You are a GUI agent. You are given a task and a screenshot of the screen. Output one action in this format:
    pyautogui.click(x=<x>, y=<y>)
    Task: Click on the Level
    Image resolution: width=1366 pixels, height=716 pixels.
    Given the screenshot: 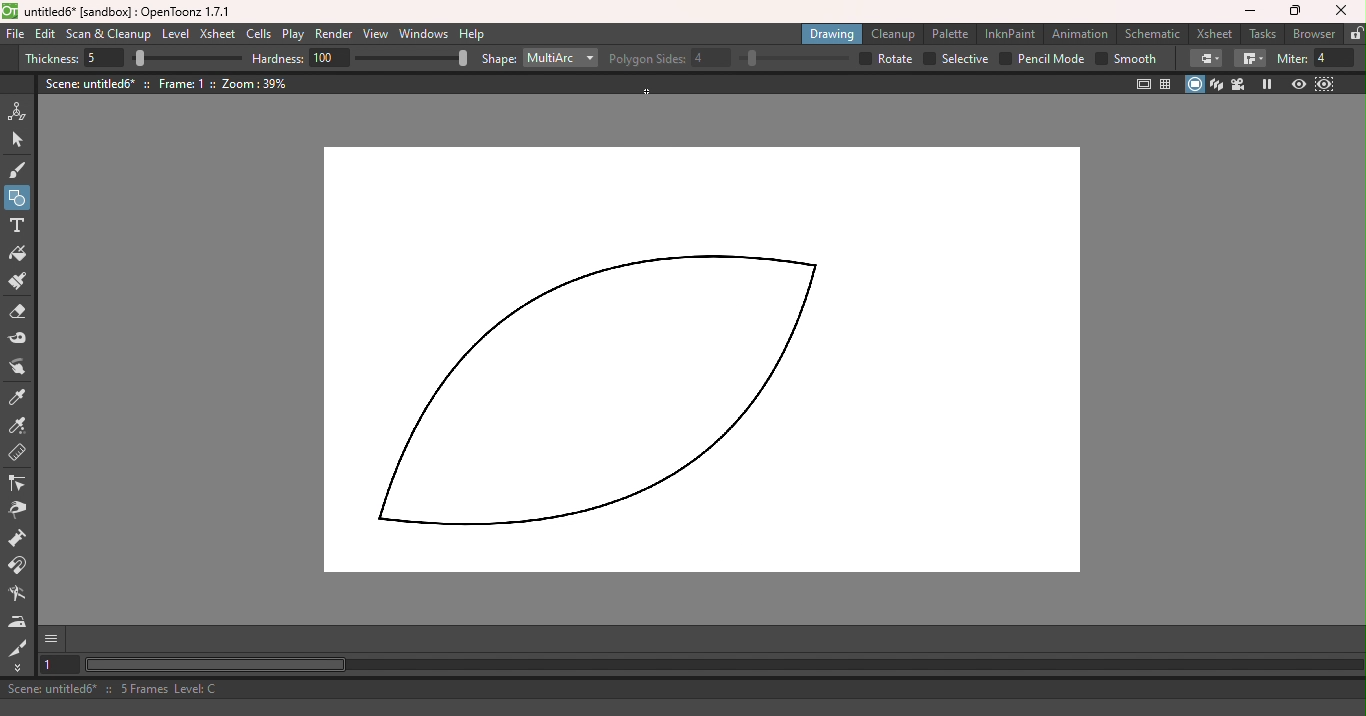 What is the action you would take?
    pyautogui.click(x=175, y=34)
    